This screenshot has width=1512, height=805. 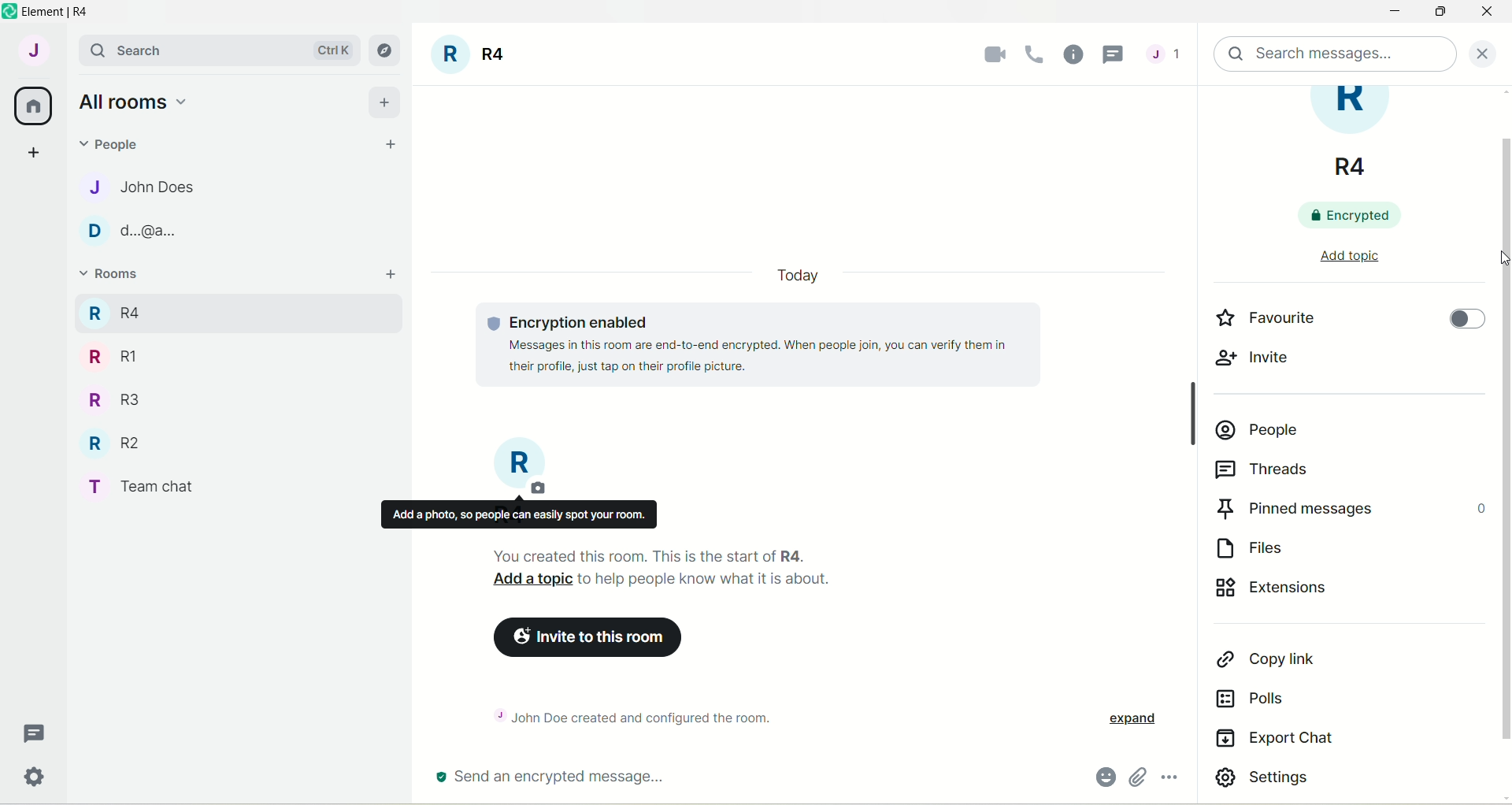 I want to click on people, so click(x=115, y=143).